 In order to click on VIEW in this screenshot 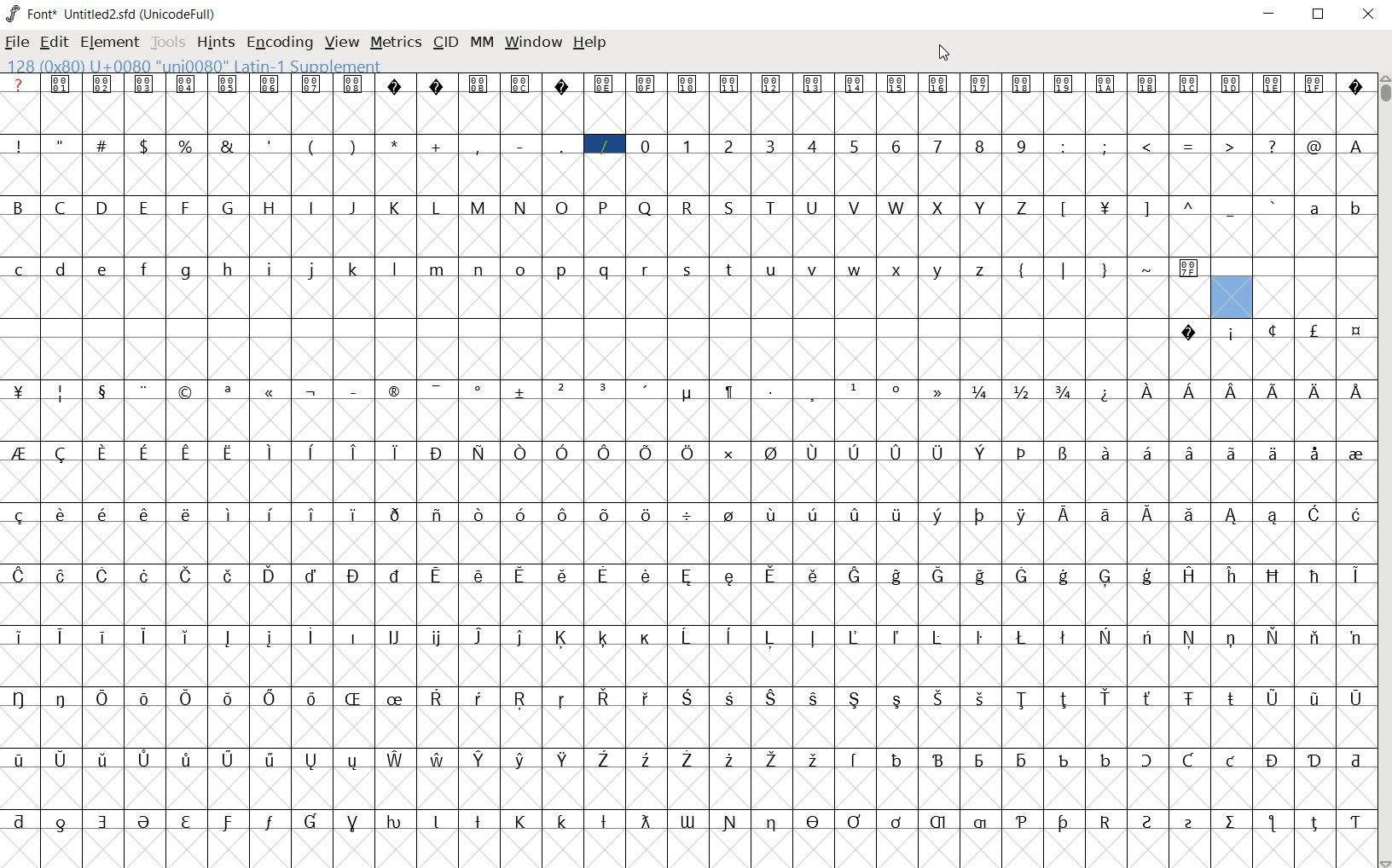, I will do `click(342, 40)`.